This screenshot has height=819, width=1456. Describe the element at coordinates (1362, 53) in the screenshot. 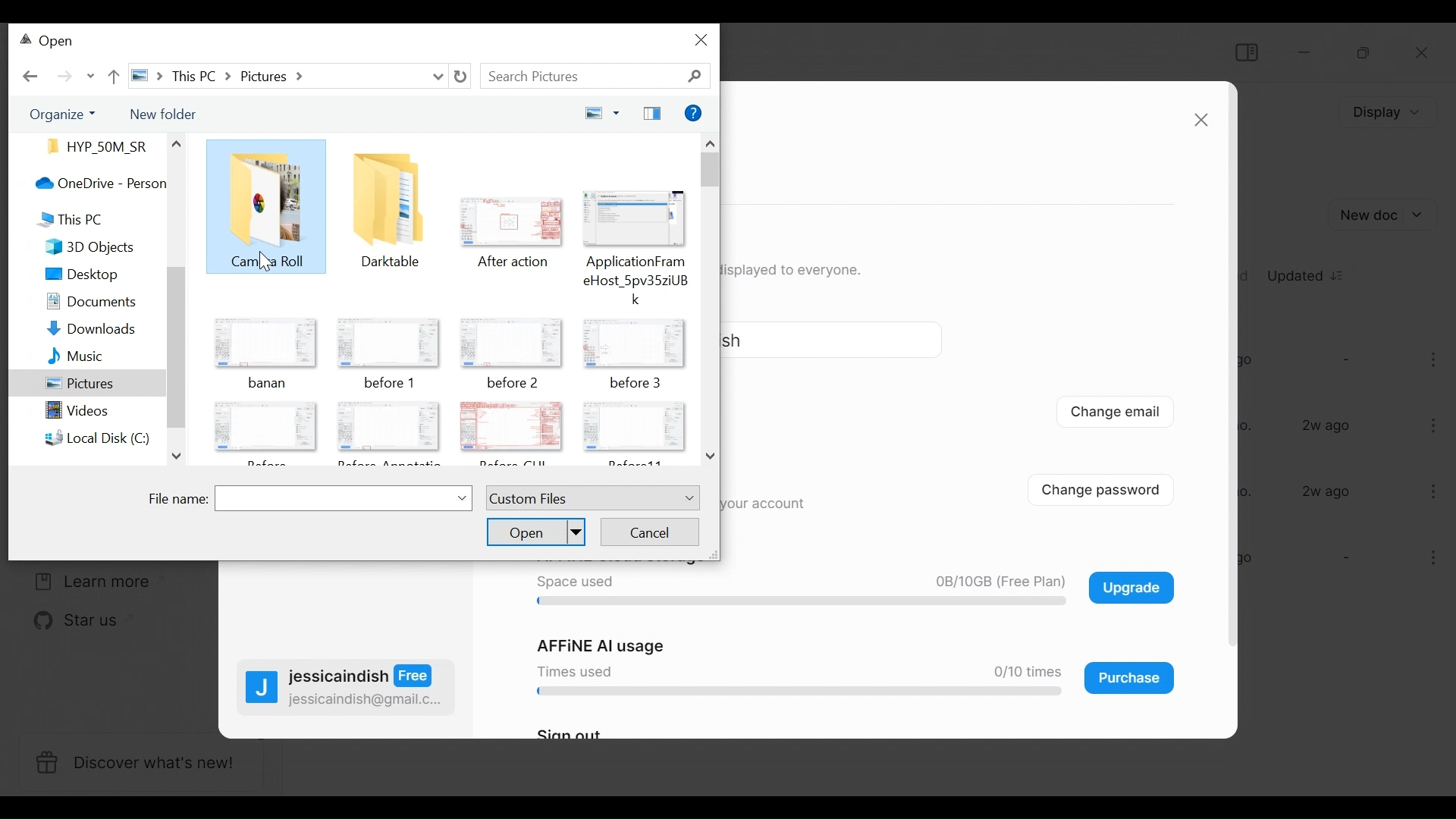

I see `Restore` at that location.